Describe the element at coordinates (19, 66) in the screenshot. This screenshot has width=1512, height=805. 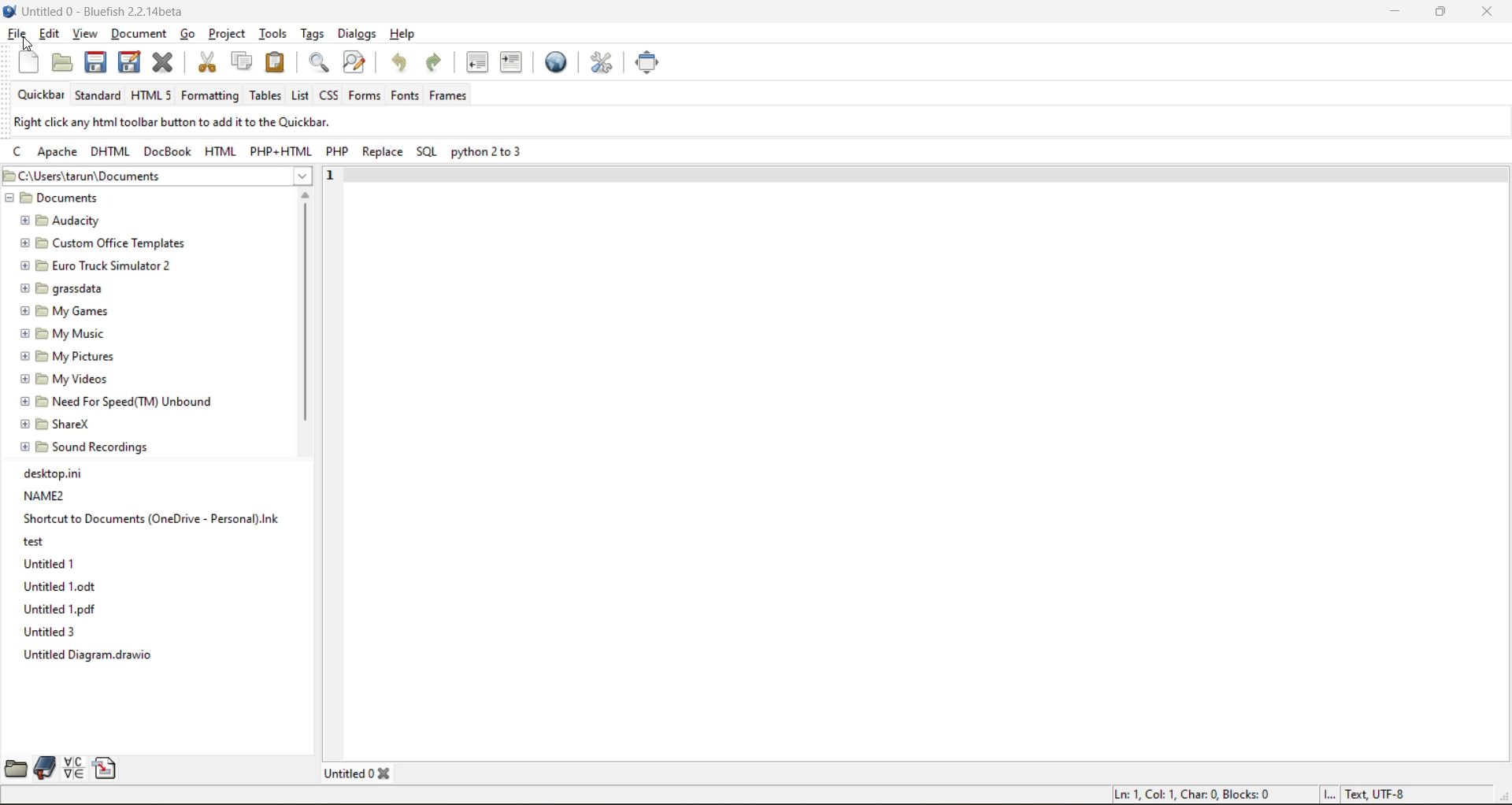
I see `new` at that location.